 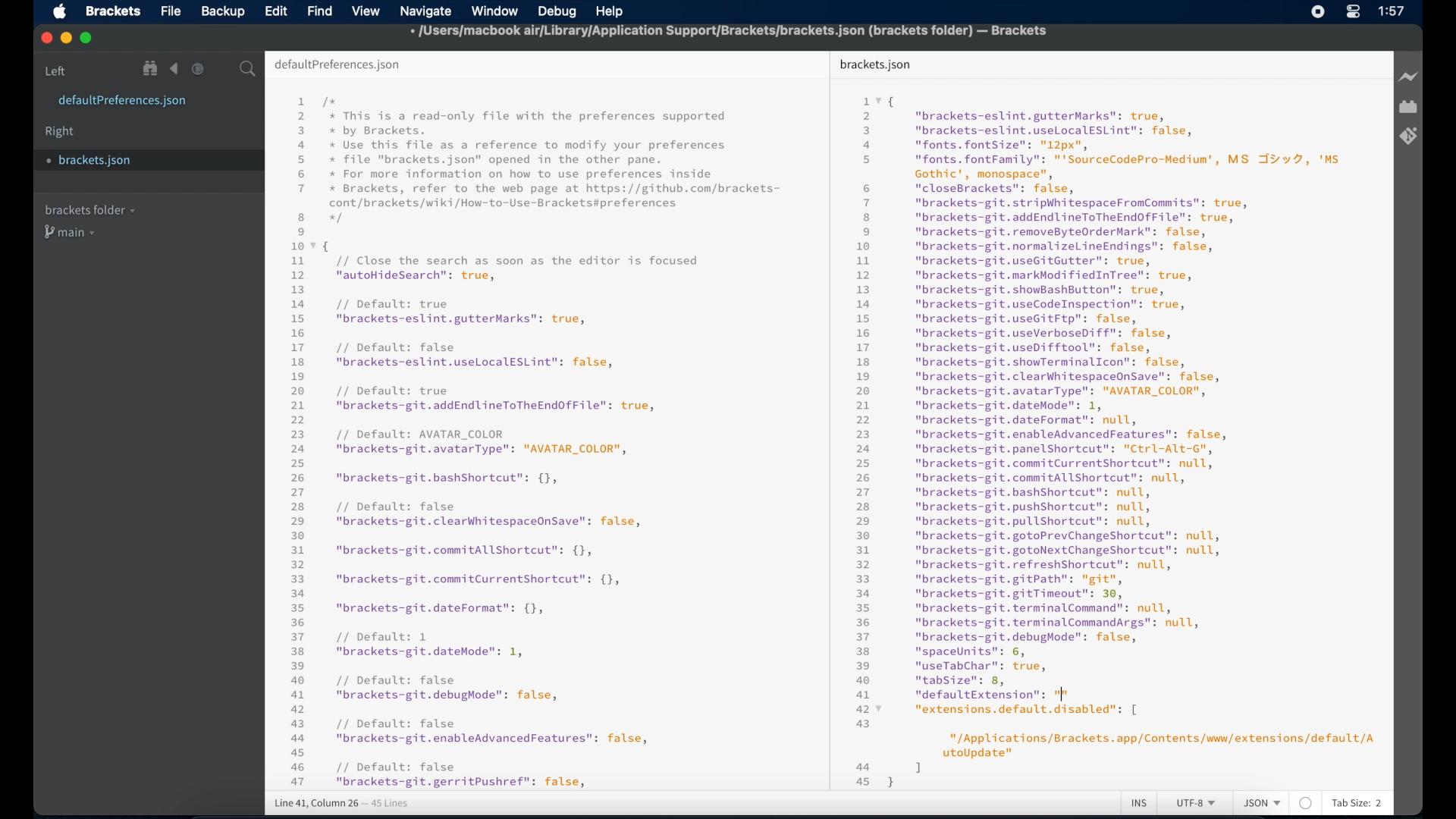 What do you see at coordinates (428, 11) in the screenshot?
I see `navigate` at bounding box center [428, 11].